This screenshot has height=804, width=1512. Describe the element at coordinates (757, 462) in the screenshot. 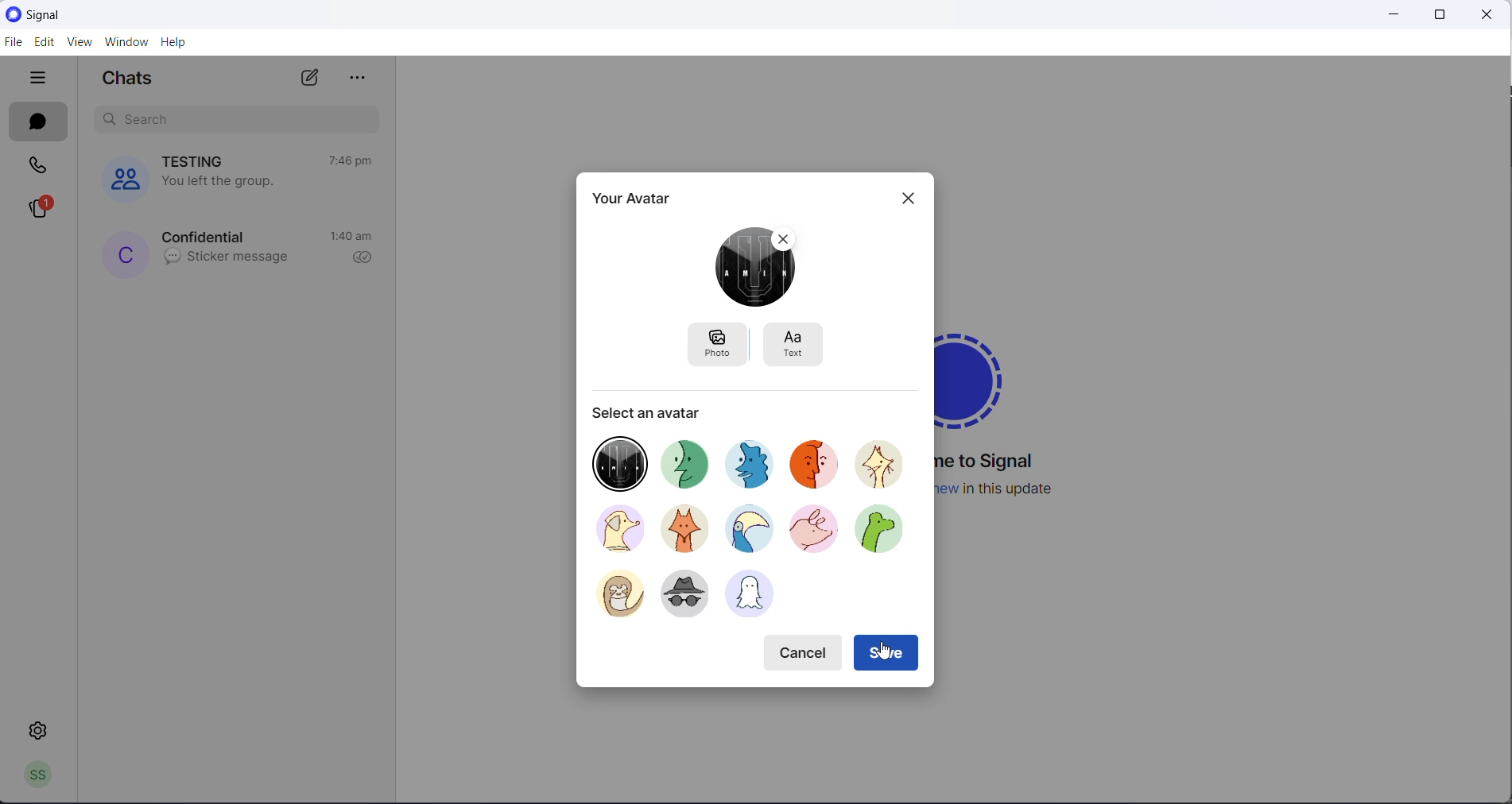

I see `avatar` at that location.